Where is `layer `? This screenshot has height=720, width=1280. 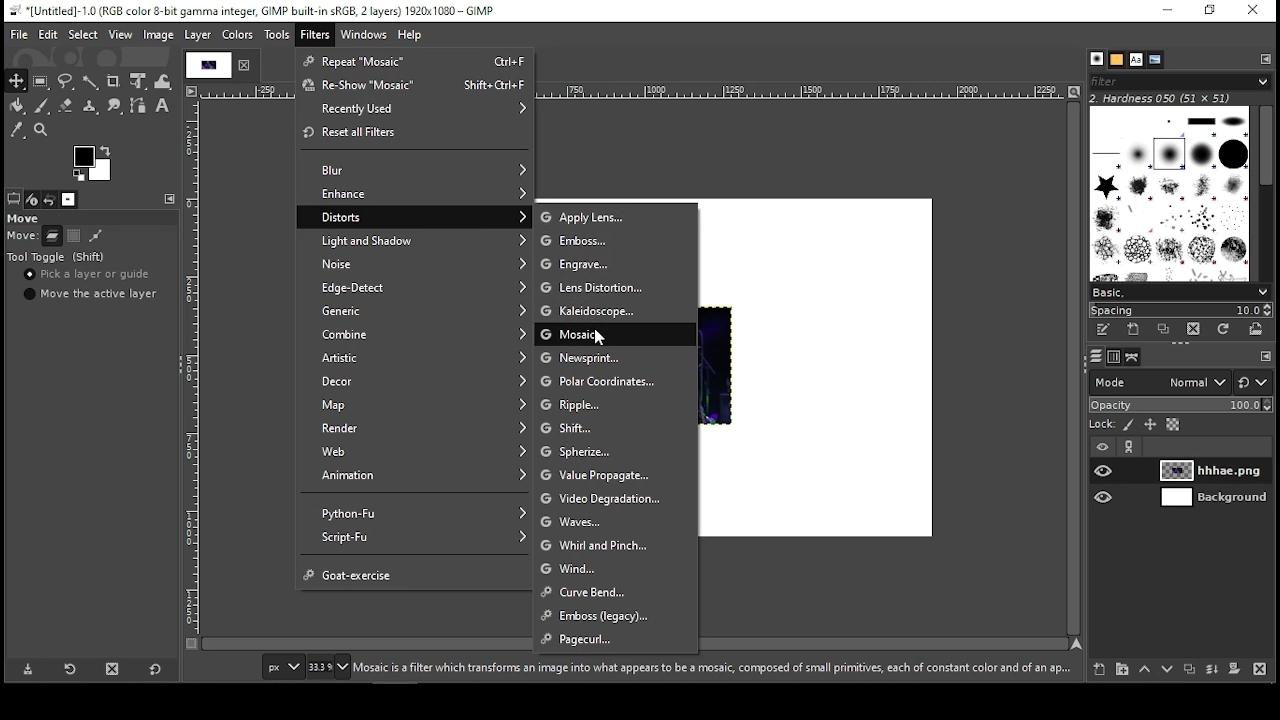
layer  is located at coordinates (1215, 470).